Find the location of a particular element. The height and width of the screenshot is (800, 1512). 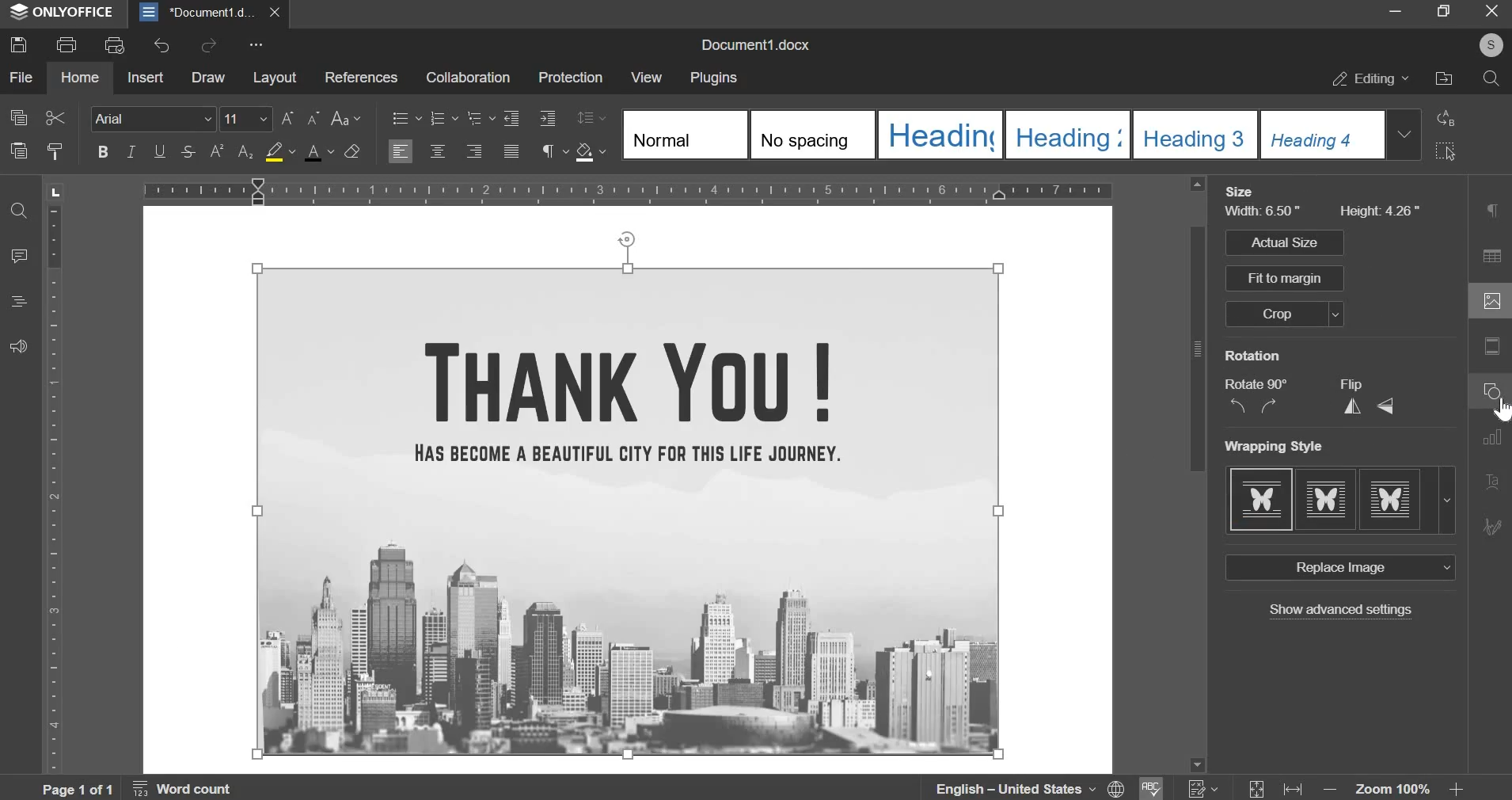

headings is located at coordinates (16, 303).